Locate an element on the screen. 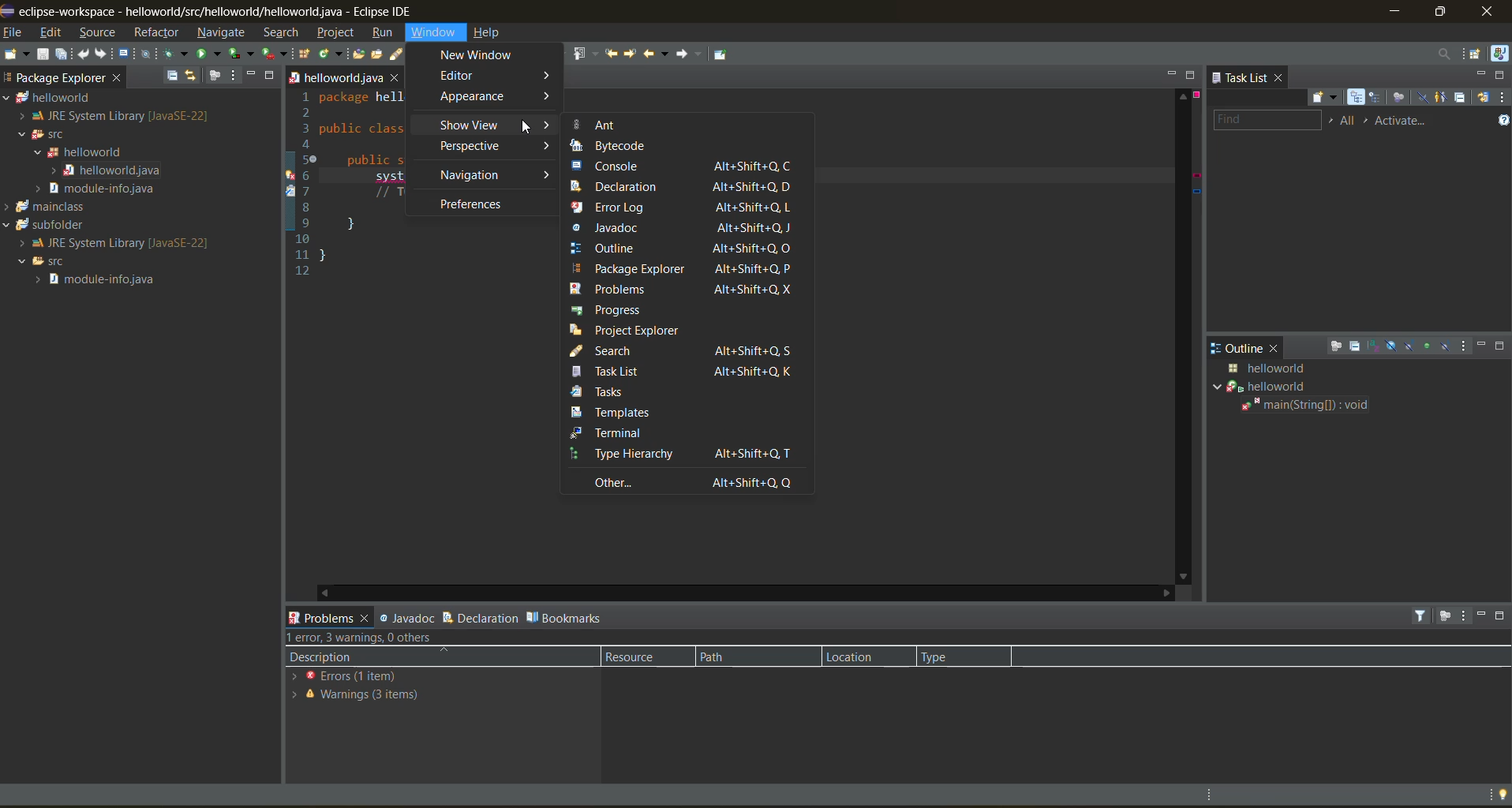 The width and height of the screenshot is (1512, 808). activate is located at coordinates (1402, 122).